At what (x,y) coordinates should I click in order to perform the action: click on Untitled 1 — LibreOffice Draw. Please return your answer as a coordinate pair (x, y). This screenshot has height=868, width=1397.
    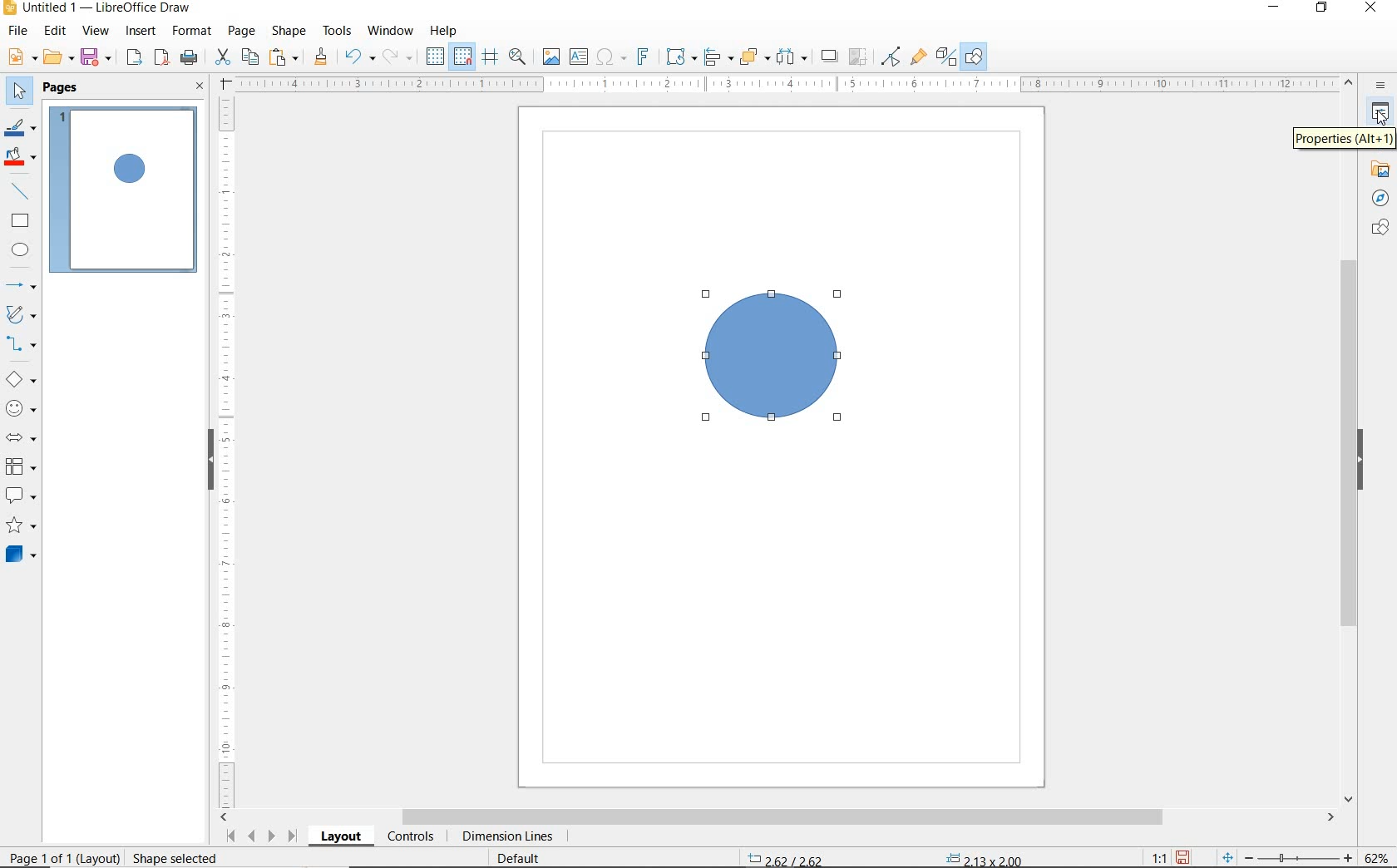
    Looking at the image, I should click on (99, 10).